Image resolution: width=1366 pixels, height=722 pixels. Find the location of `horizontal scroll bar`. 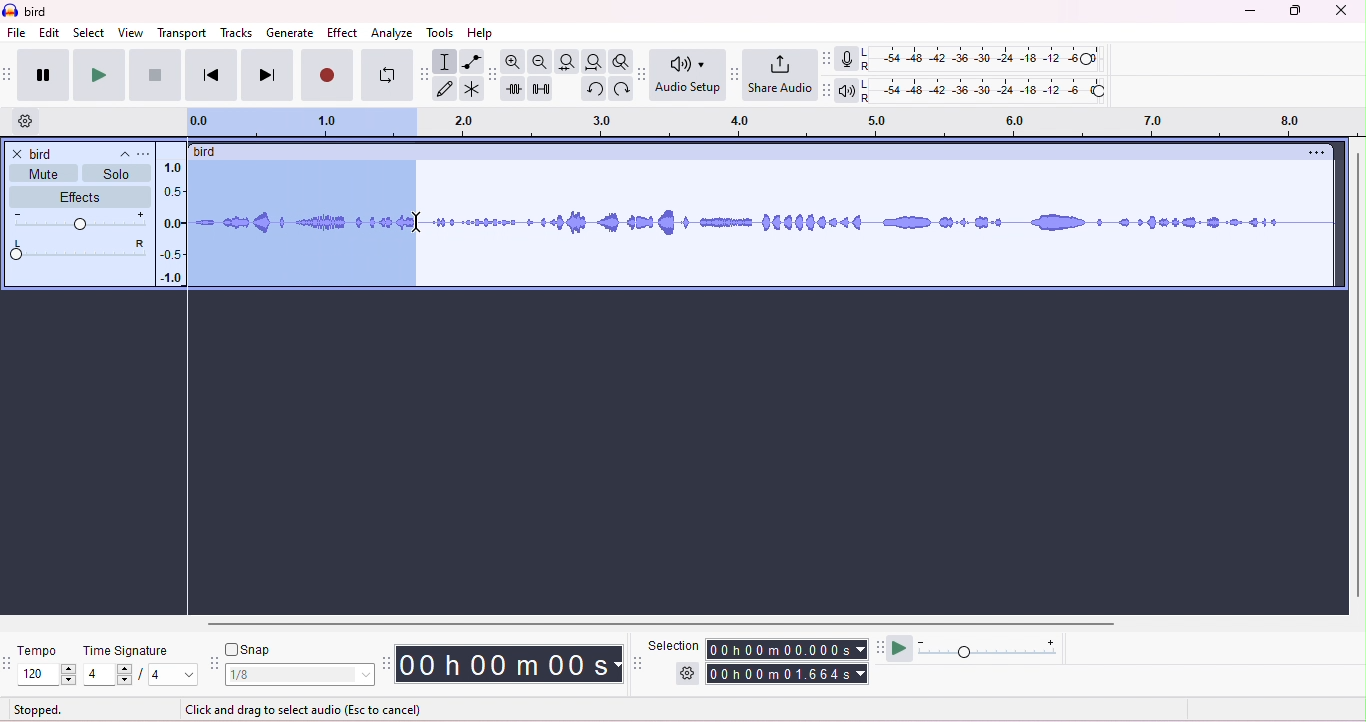

horizontal scroll bar is located at coordinates (668, 626).